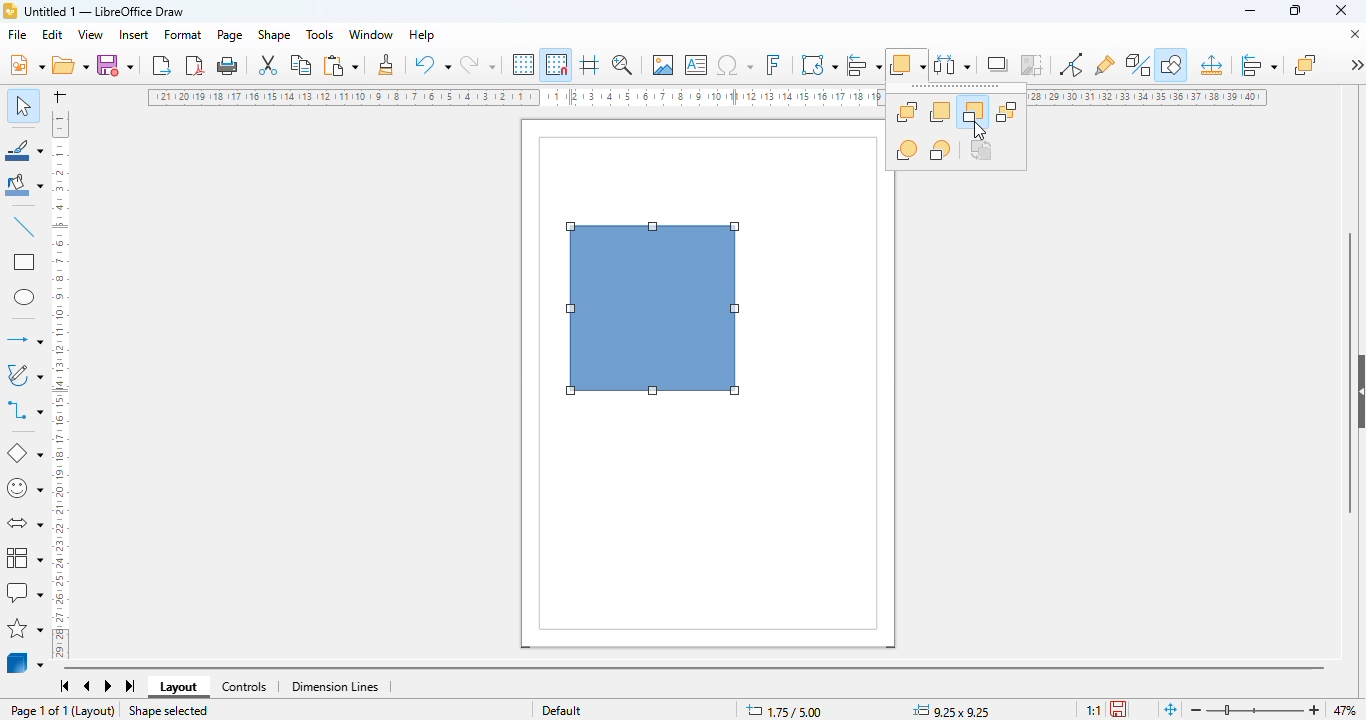 This screenshot has height=720, width=1366. Describe the element at coordinates (371, 34) in the screenshot. I see `window` at that location.